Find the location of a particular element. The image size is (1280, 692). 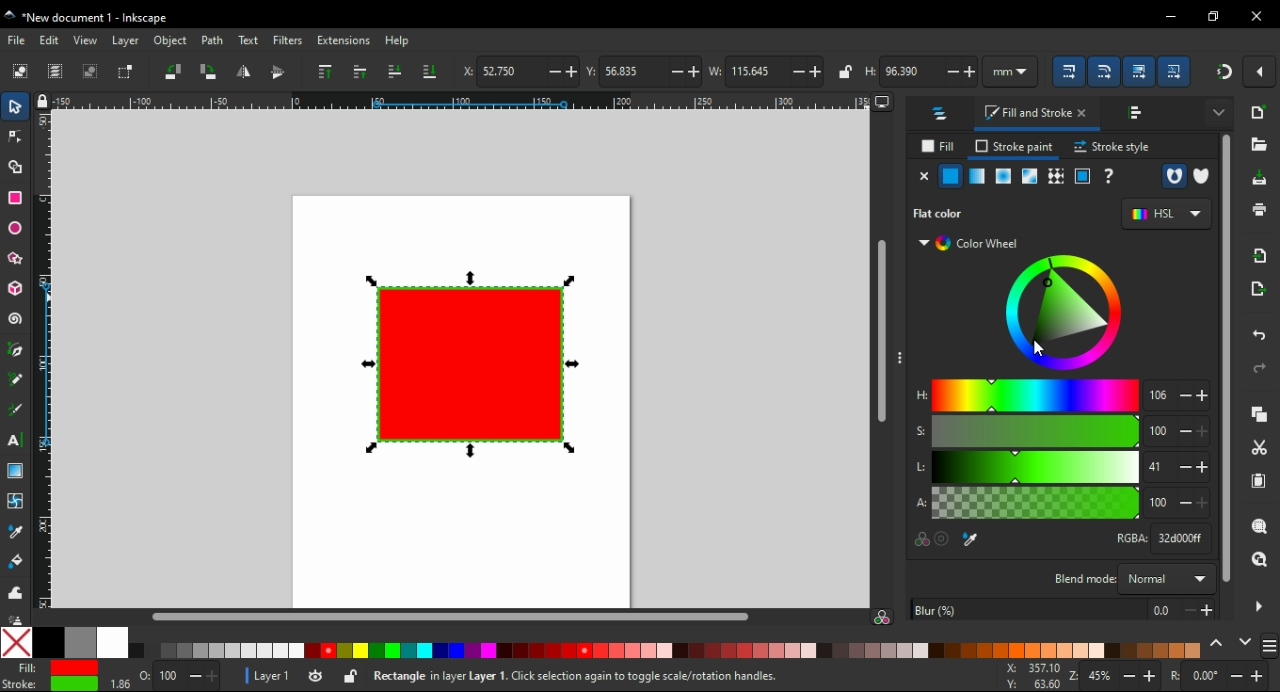

increase/decrease is located at coordinates (684, 72).